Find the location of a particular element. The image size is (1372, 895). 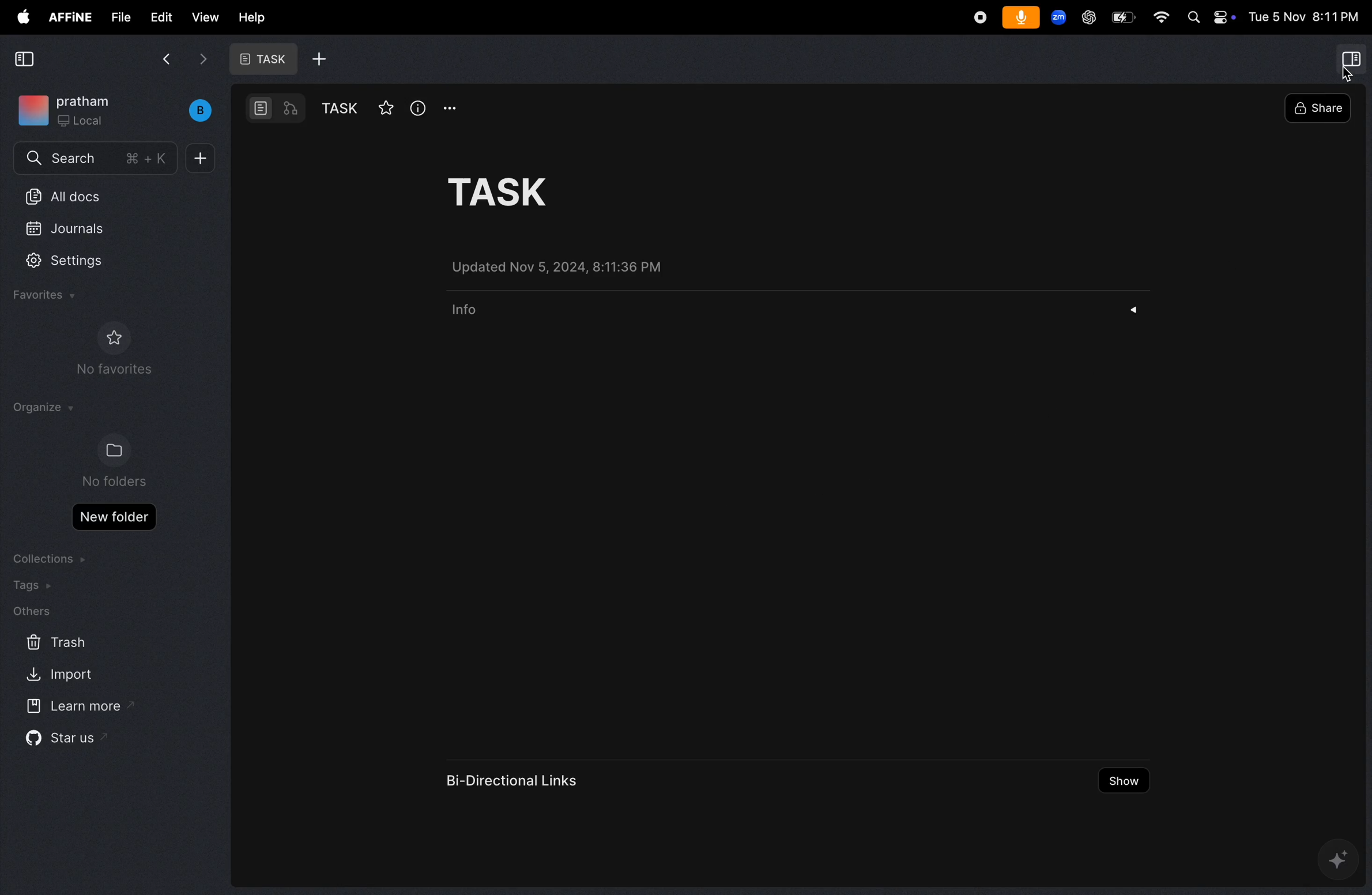

back is located at coordinates (166, 58).